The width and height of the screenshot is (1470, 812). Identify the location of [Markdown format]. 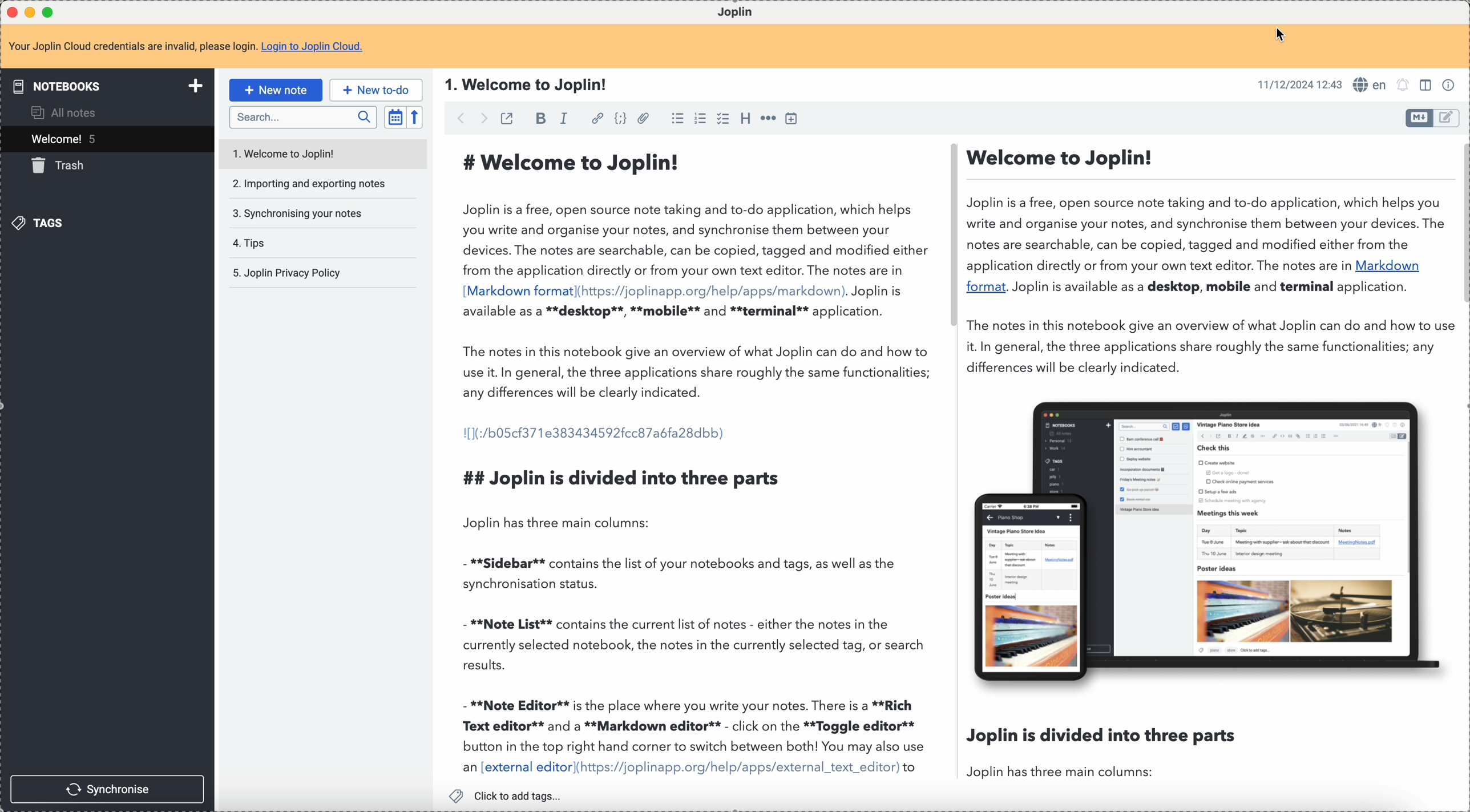
(518, 290).